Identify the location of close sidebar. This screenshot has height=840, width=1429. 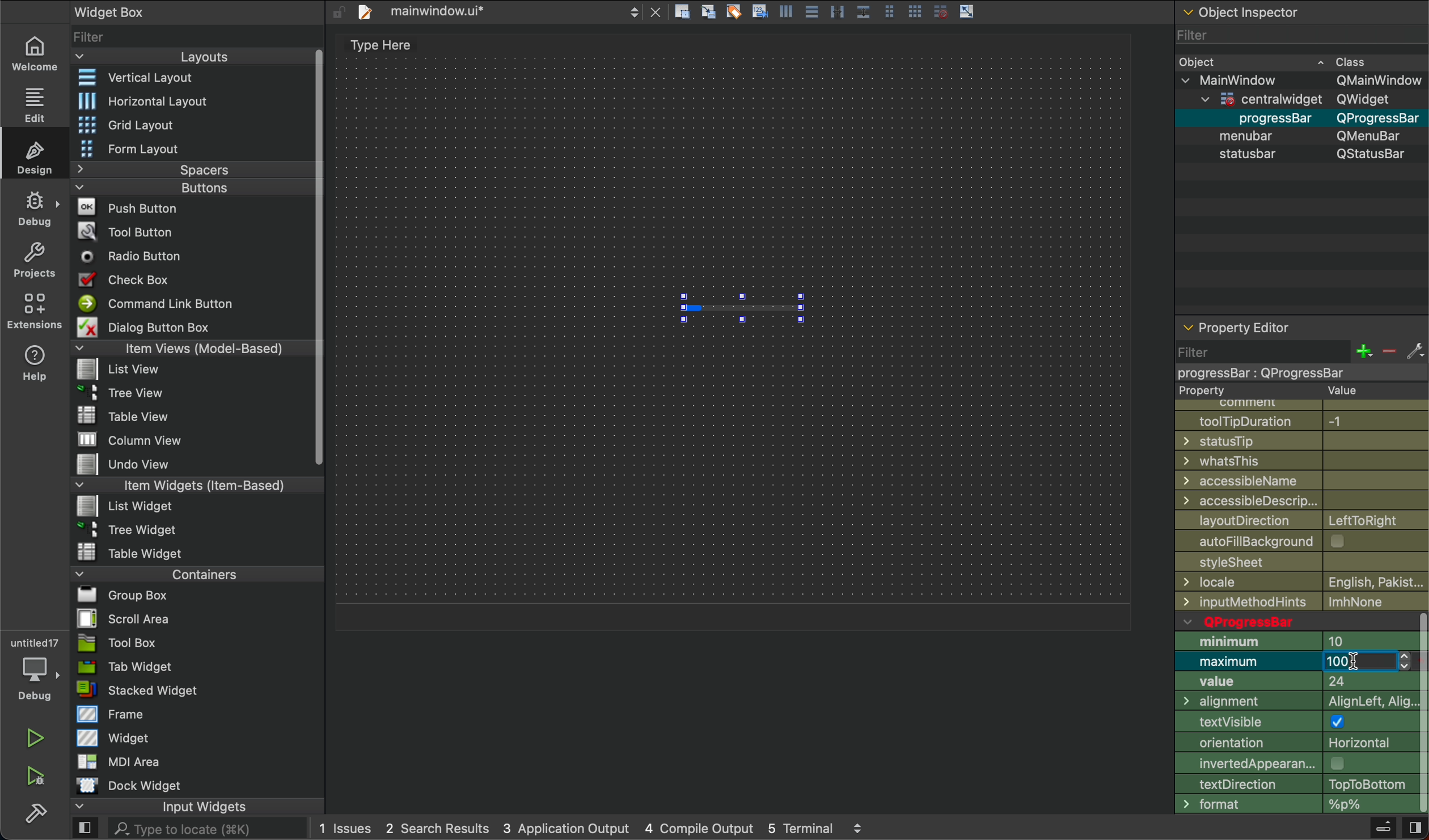
(1414, 828).